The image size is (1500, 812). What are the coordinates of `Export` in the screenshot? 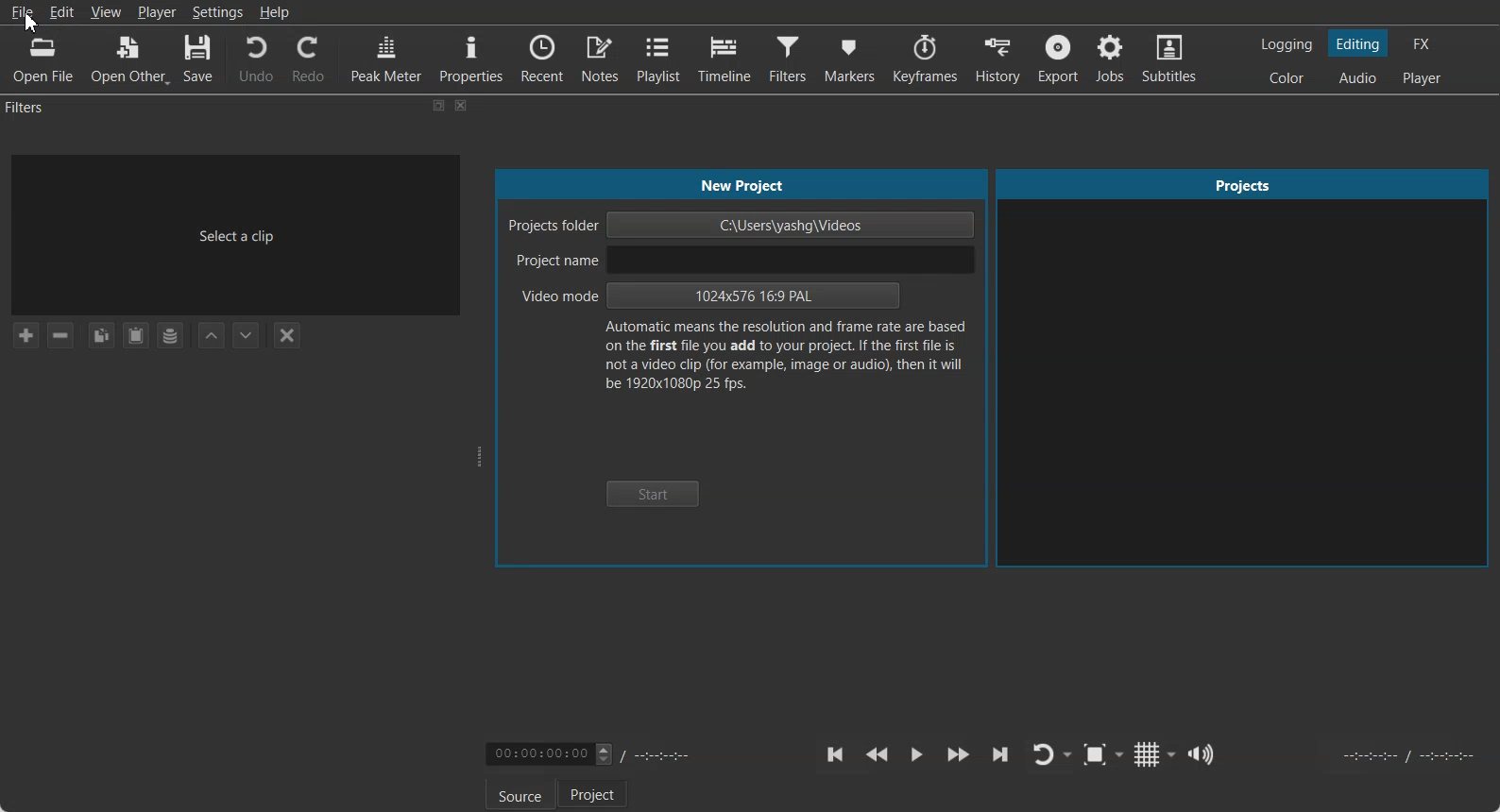 It's located at (1058, 59).